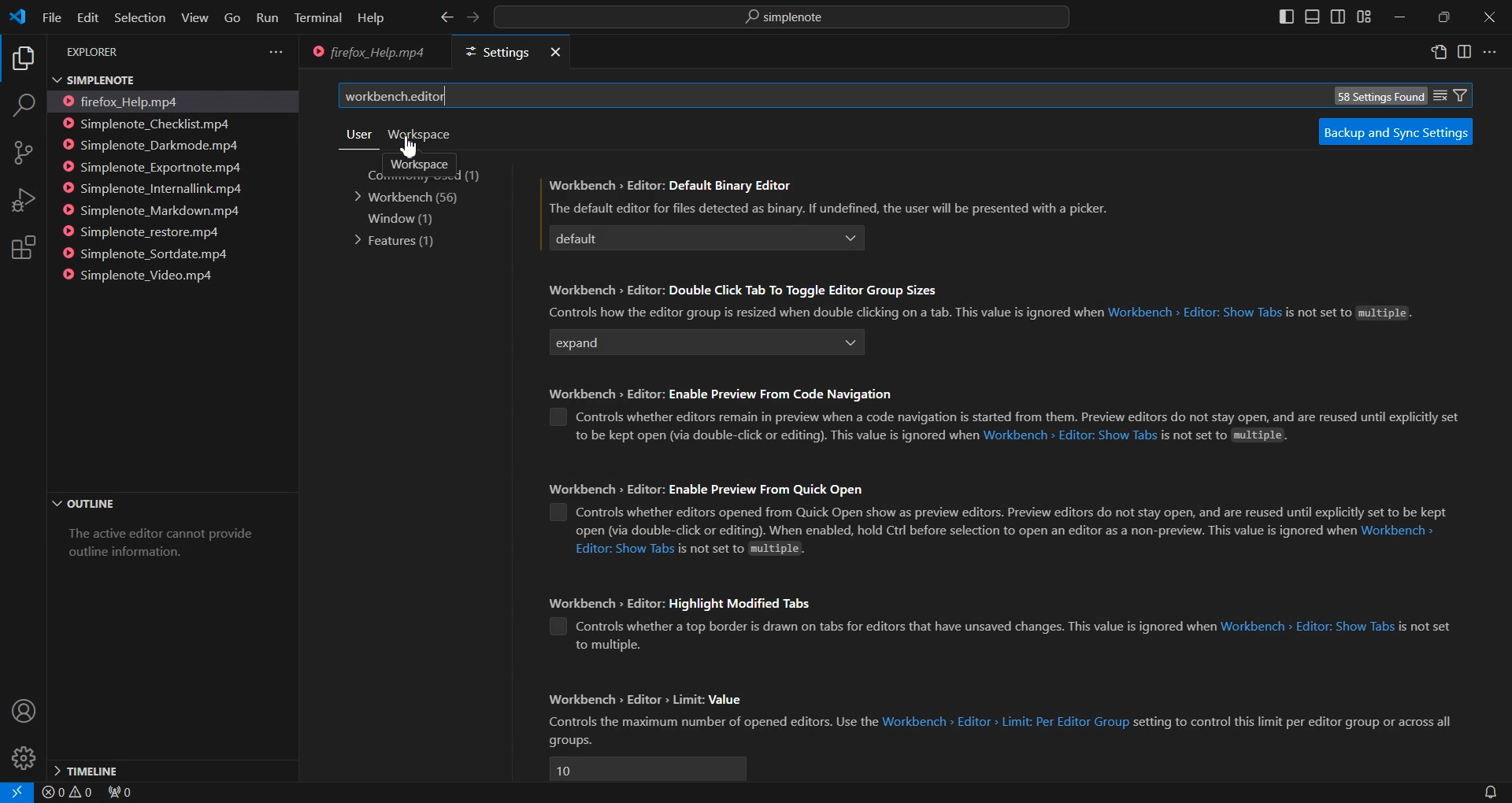  I want to click on ‘Workbench > Editor: Enable Preview From Quick Open, so click(705, 489).